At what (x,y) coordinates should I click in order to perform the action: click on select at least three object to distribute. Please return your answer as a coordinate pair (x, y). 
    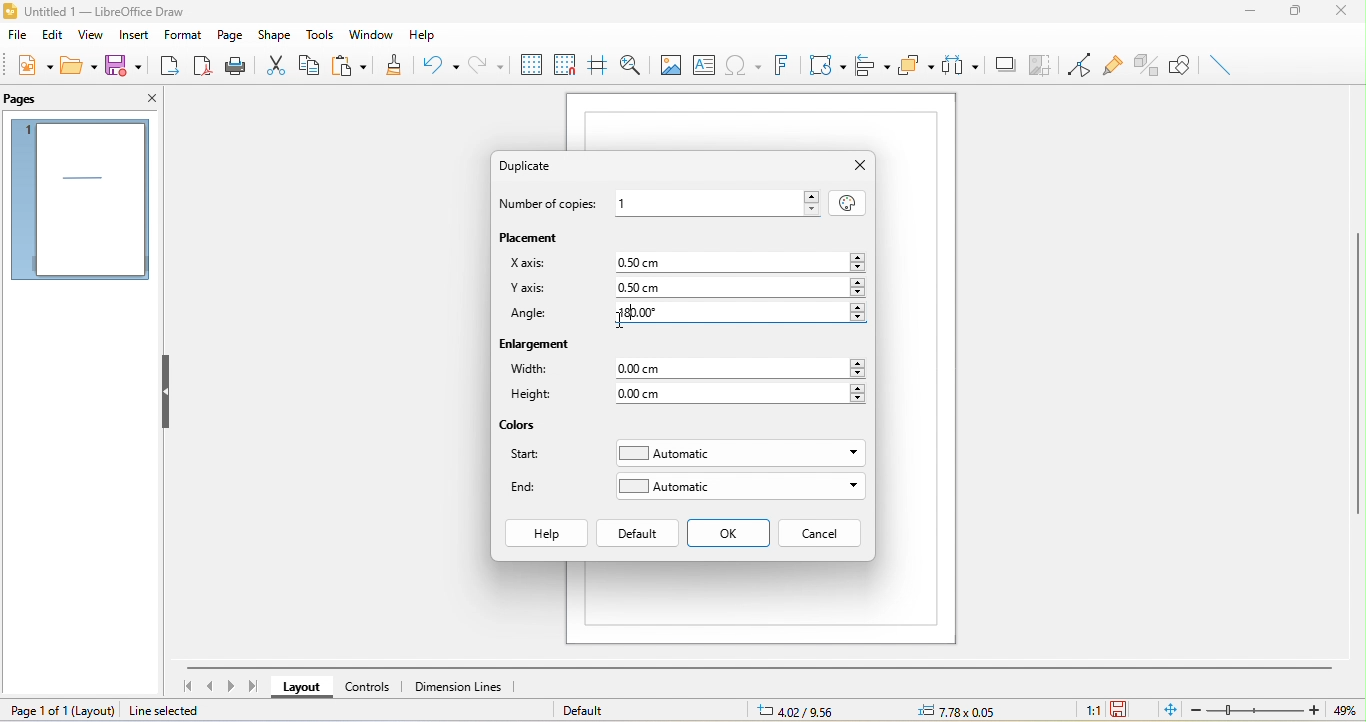
    Looking at the image, I should click on (962, 68).